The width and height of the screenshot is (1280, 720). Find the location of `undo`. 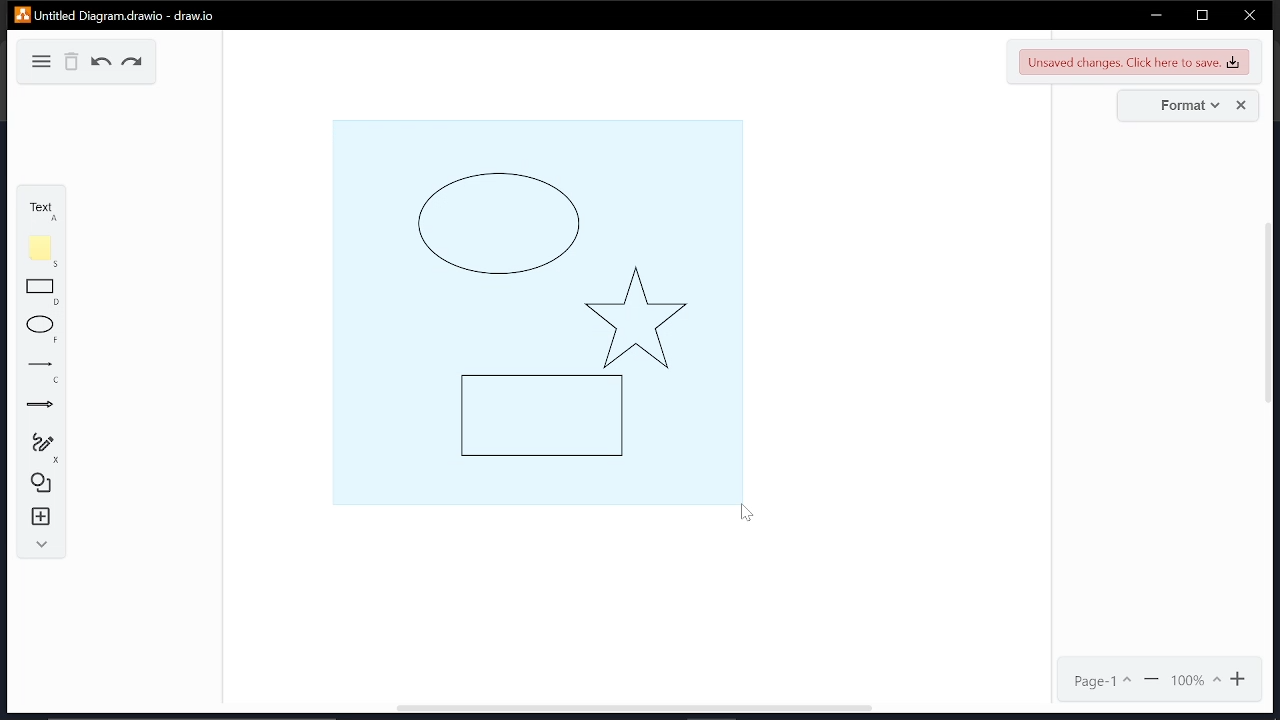

undo is located at coordinates (102, 63).